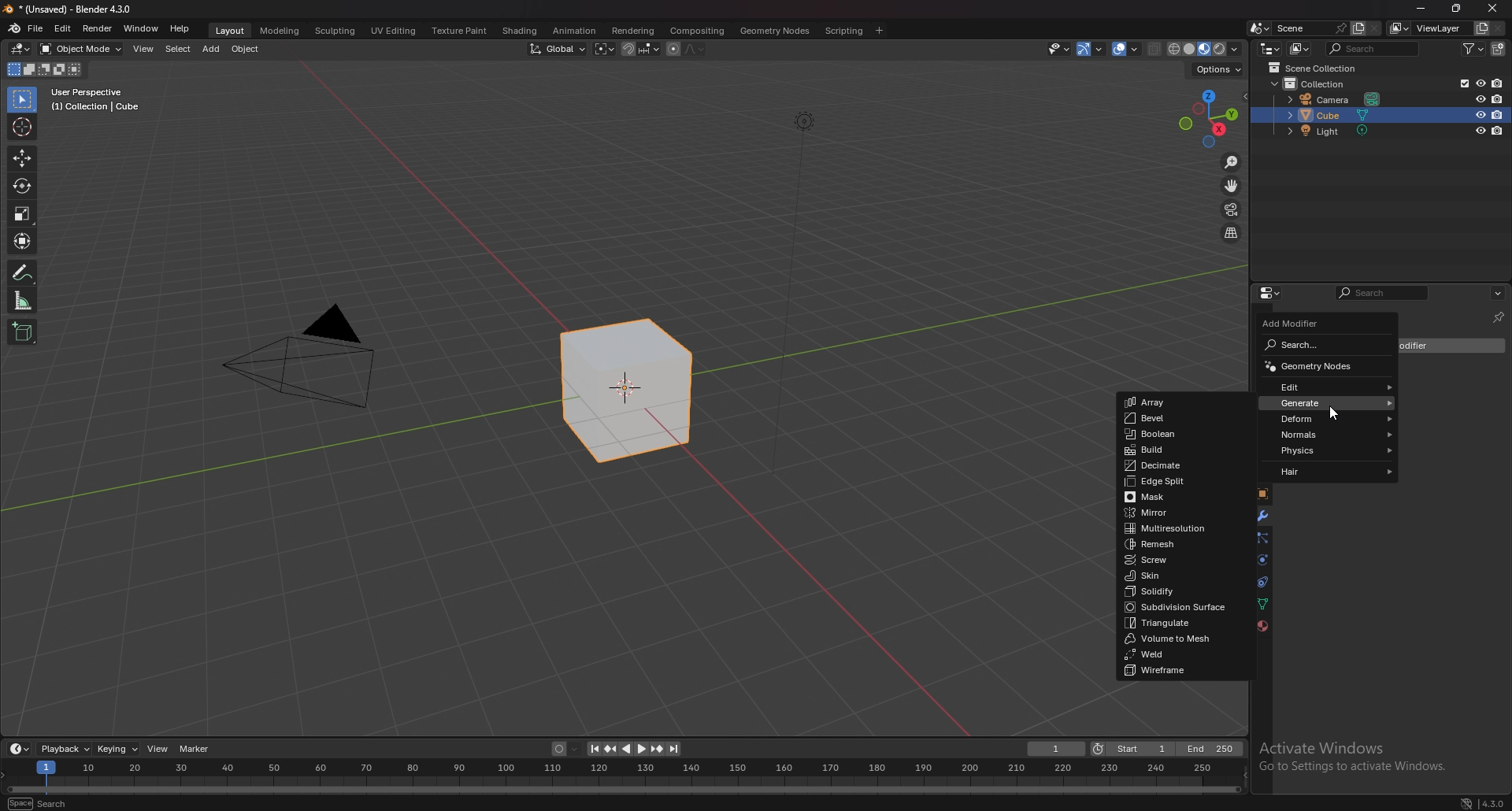  Describe the element at coordinates (610, 749) in the screenshot. I see `jump to keyframe` at that location.